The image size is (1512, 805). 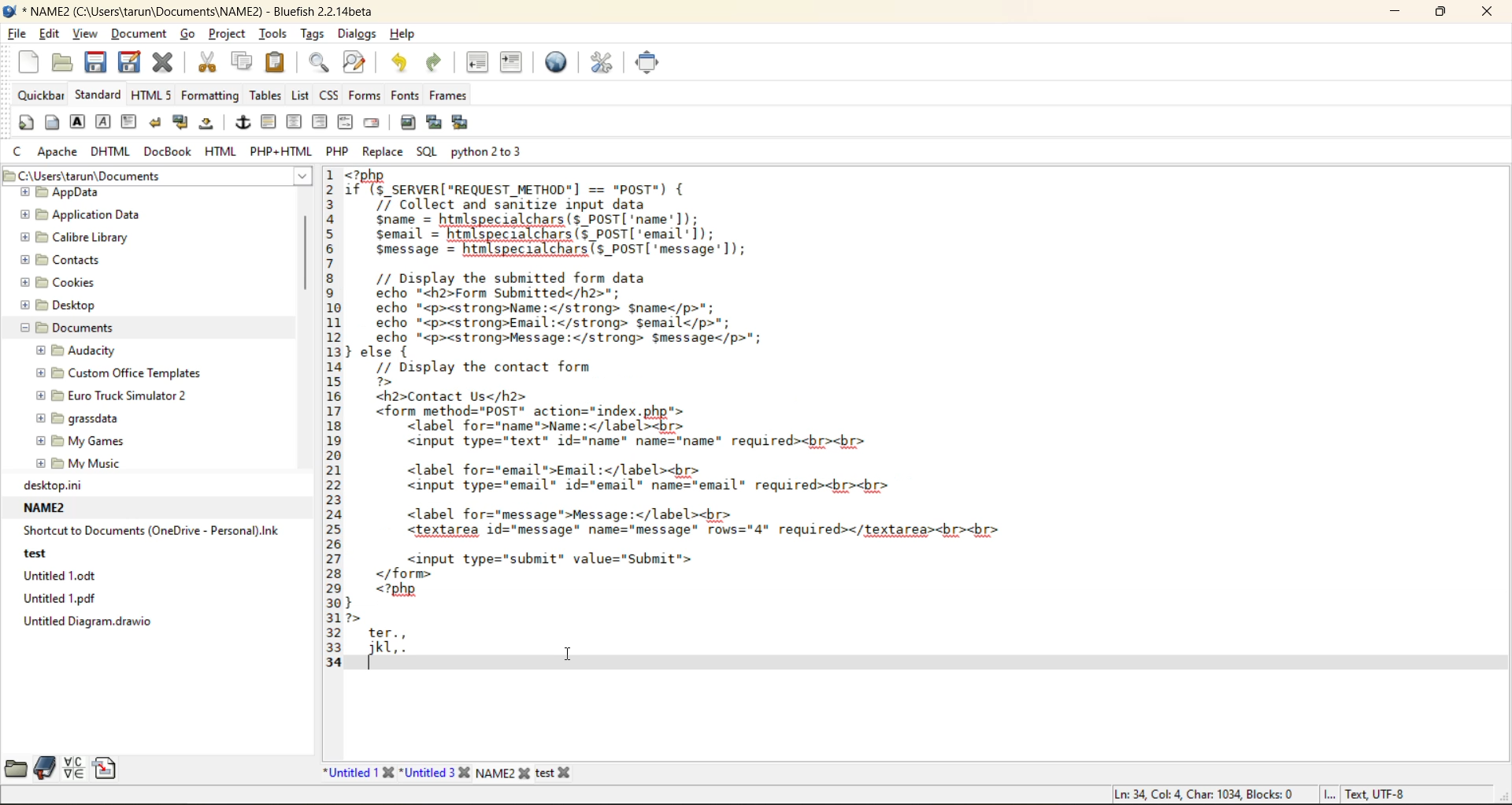 What do you see at coordinates (50, 485) in the screenshot?
I see `desktop.ini` at bounding box center [50, 485].